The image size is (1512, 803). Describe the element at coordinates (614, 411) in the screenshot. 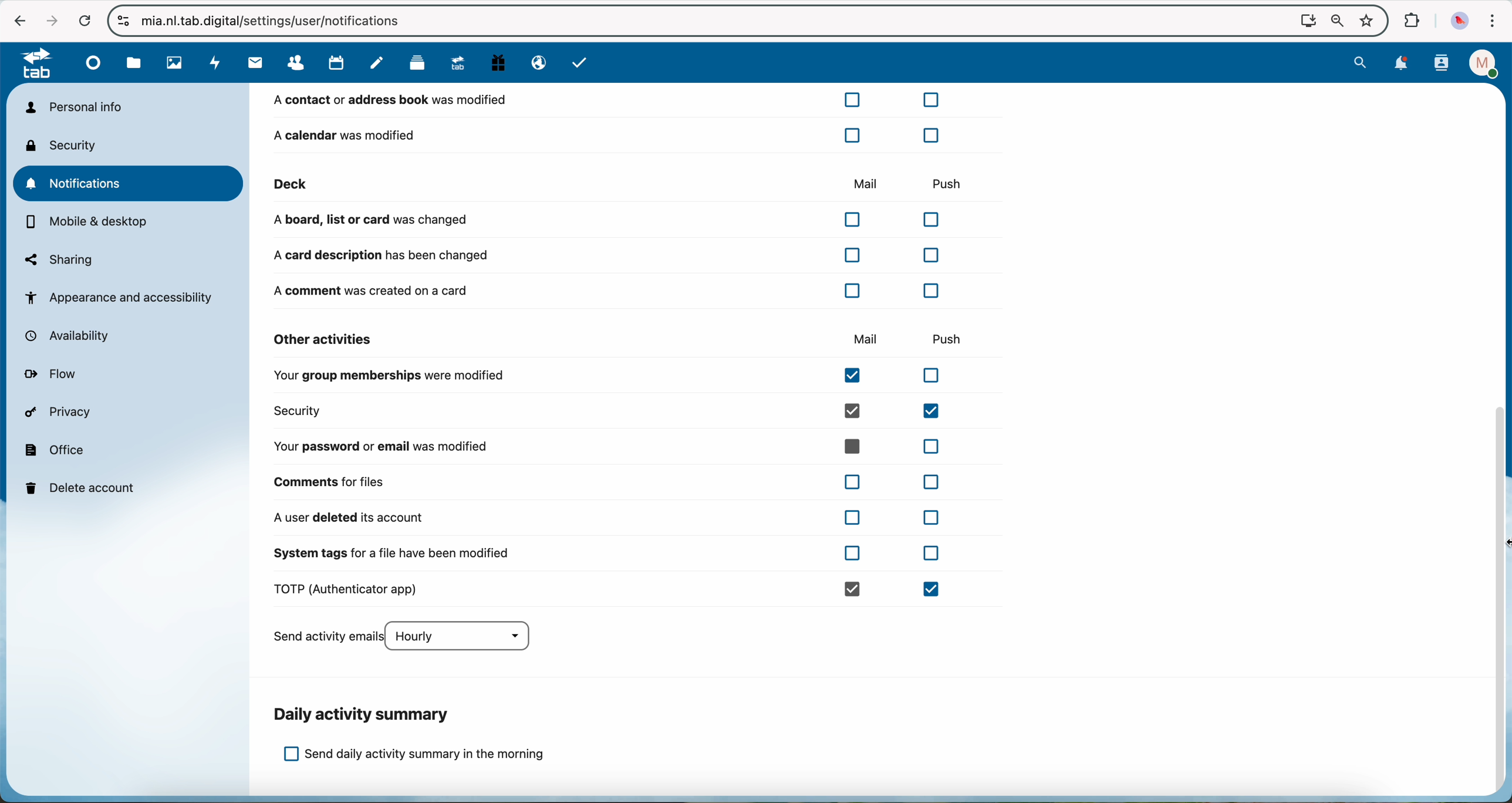

I see `security` at that location.